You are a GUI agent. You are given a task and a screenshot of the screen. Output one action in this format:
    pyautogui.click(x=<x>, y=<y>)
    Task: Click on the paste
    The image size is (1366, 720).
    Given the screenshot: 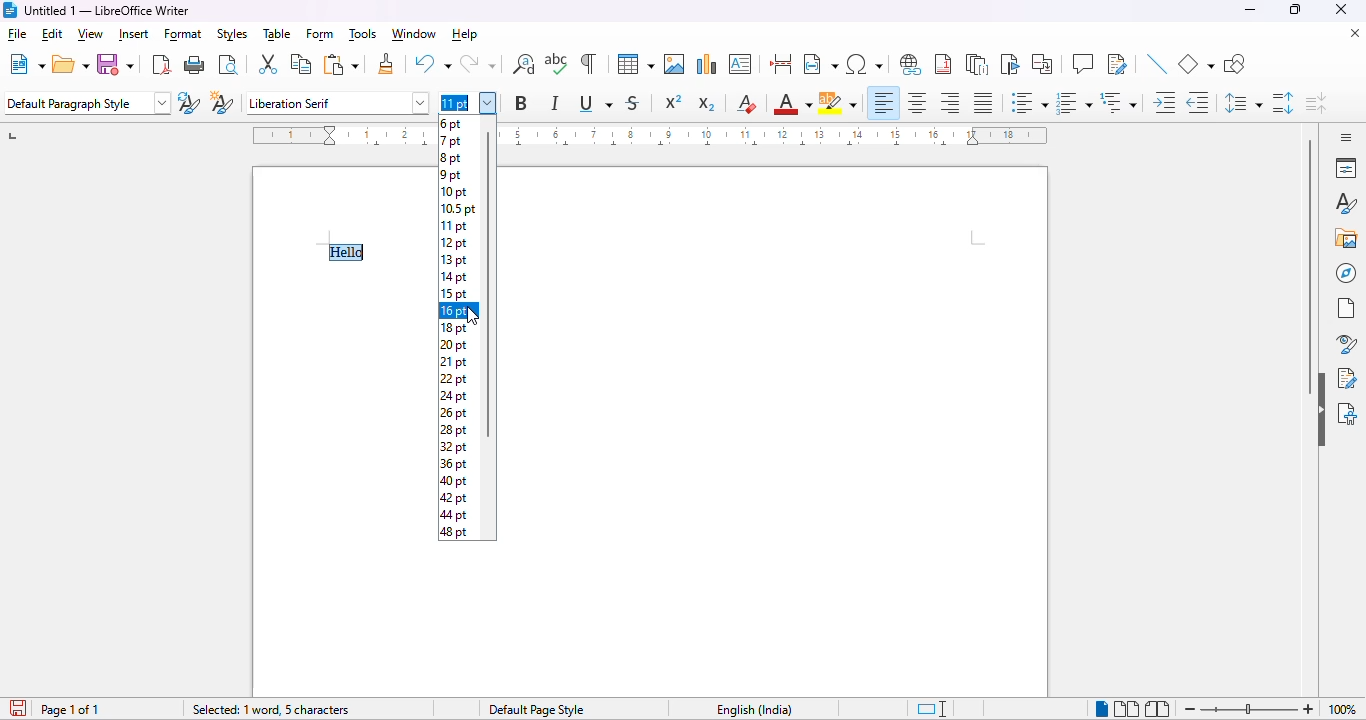 What is the action you would take?
    pyautogui.click(x=342, y=64)
    